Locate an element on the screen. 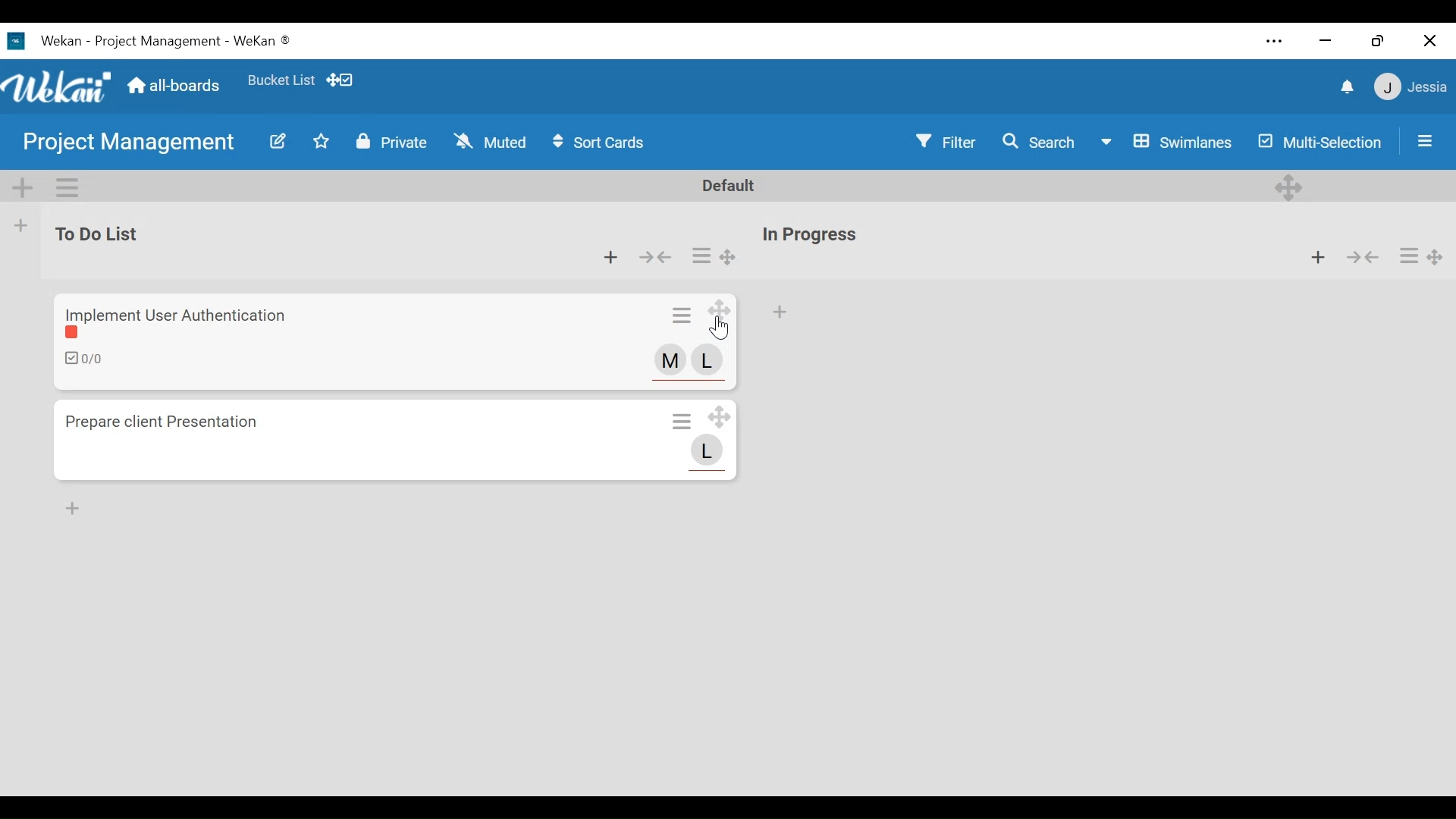  Card actions is located at coordinates (700, 256).